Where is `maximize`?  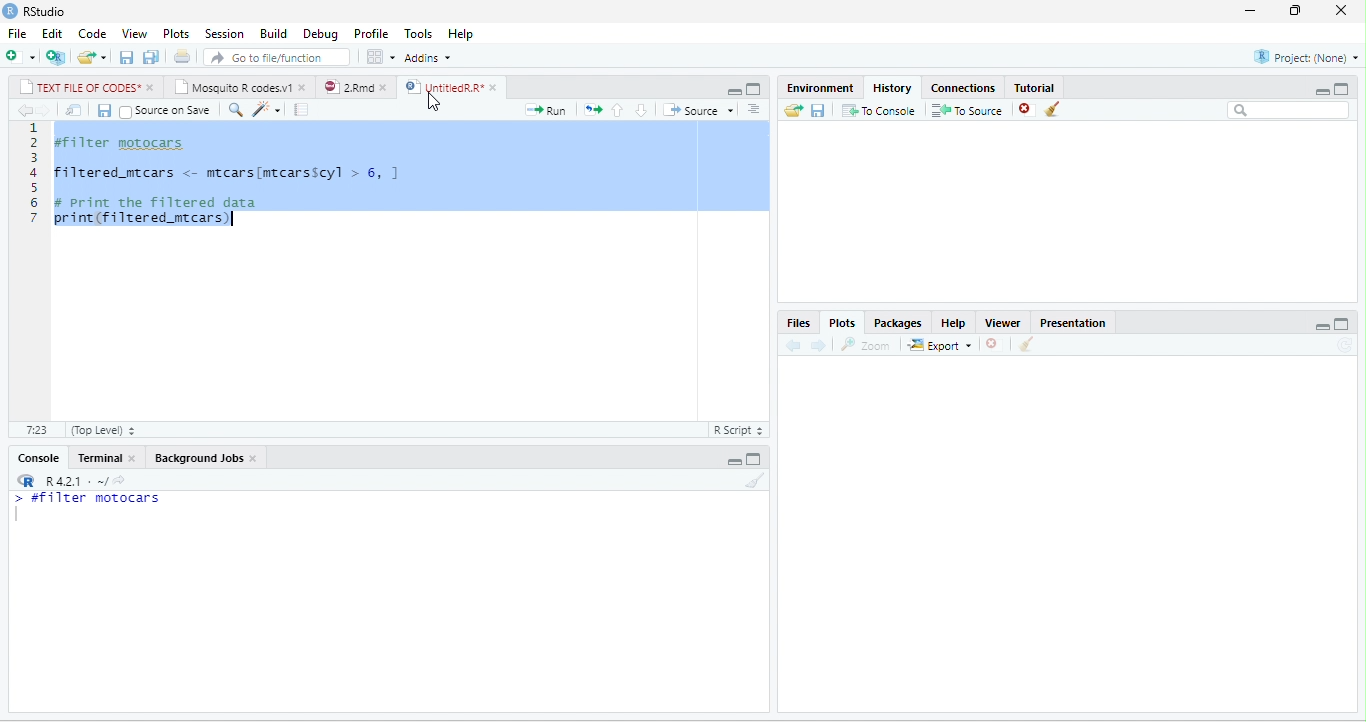 maximize is located at coordinates (1341, 89).